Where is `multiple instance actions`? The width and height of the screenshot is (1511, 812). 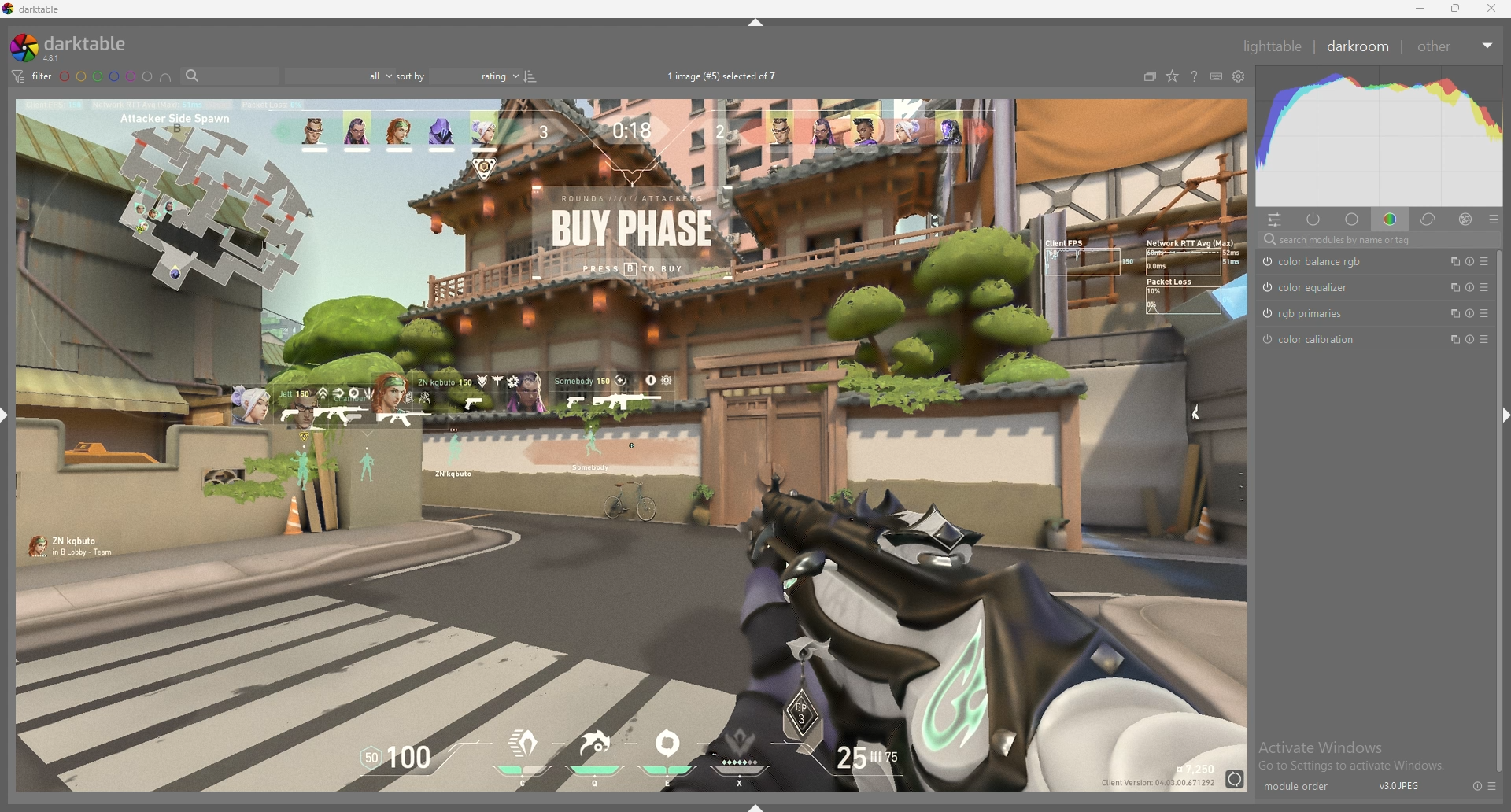
multiple instance actions is located at coordinates (1450, 314).